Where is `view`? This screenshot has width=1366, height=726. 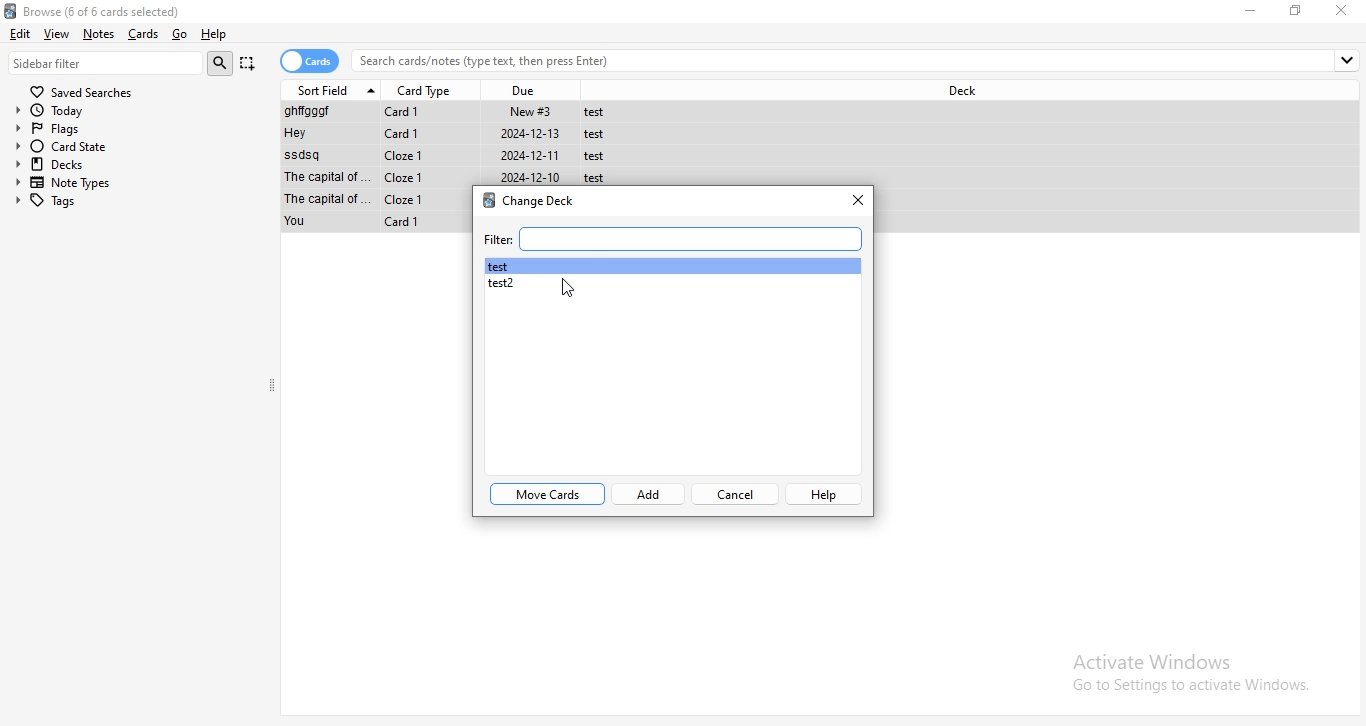 view is located at coordinates (58, 33).